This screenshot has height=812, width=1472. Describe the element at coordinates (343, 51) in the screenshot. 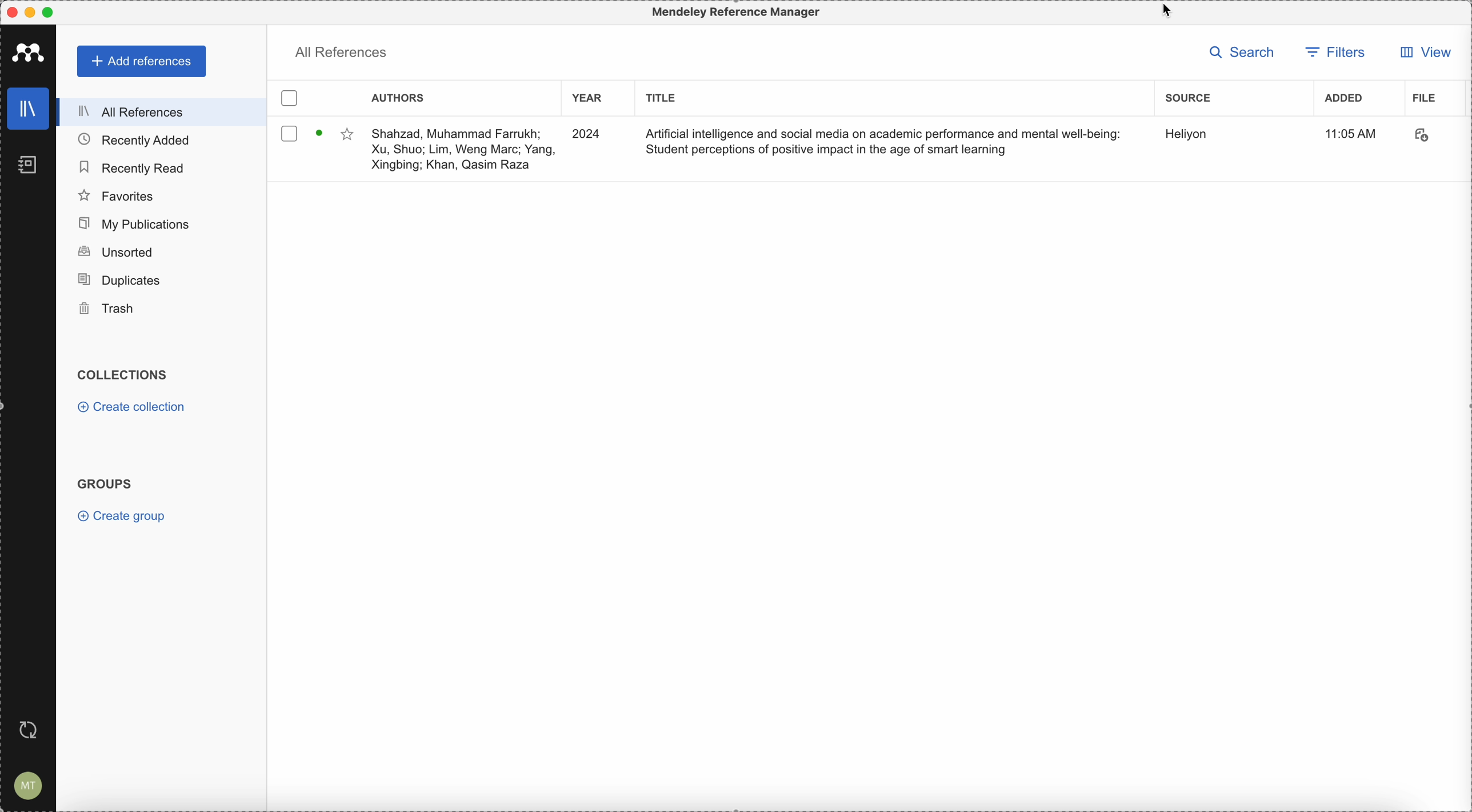

I see `all references` at that location.